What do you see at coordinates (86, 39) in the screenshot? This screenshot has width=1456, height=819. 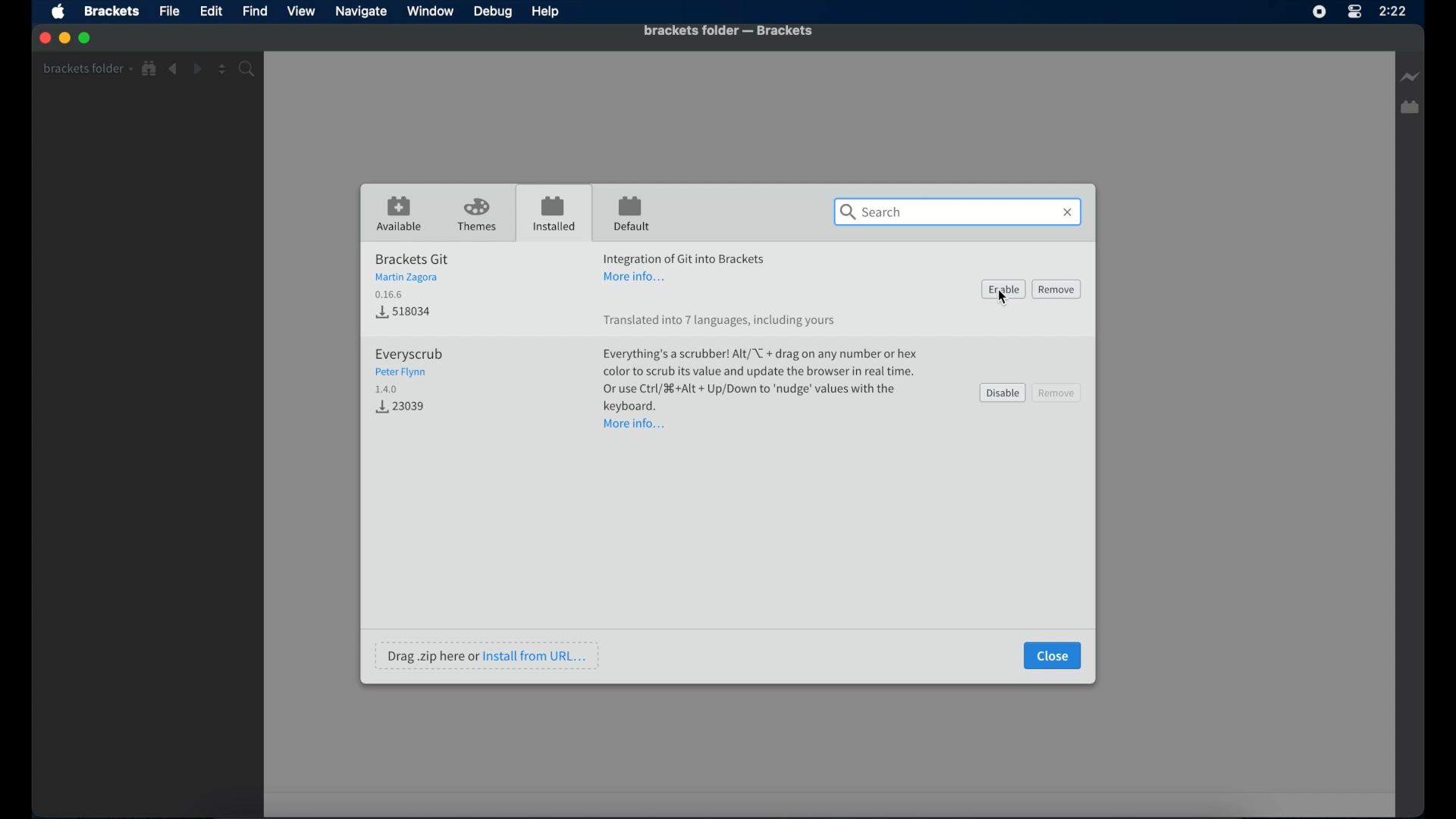 I see `maximize` at bounding box center [86, 39].